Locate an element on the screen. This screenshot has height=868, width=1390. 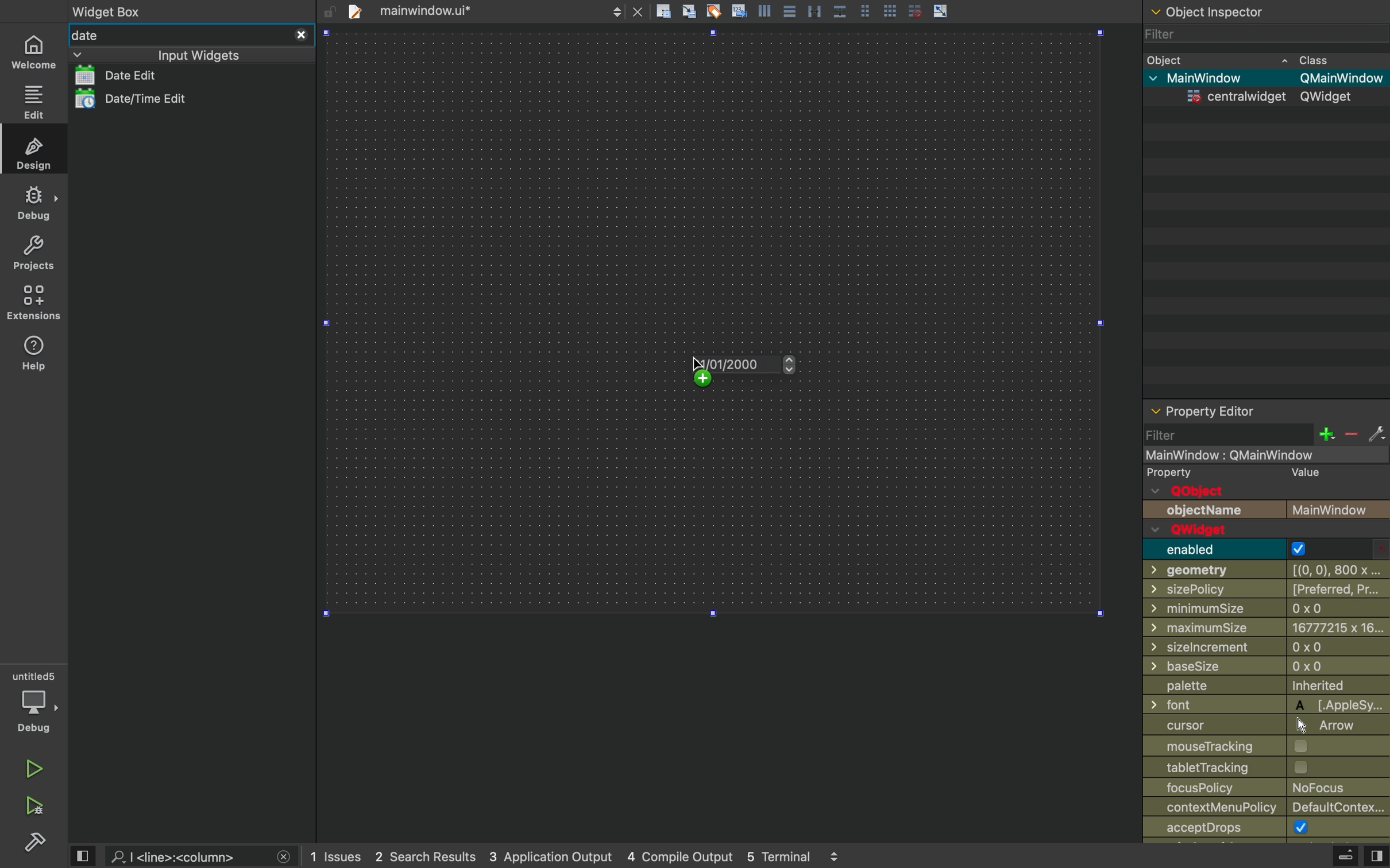
minus is located at coordinates (1351, 433).